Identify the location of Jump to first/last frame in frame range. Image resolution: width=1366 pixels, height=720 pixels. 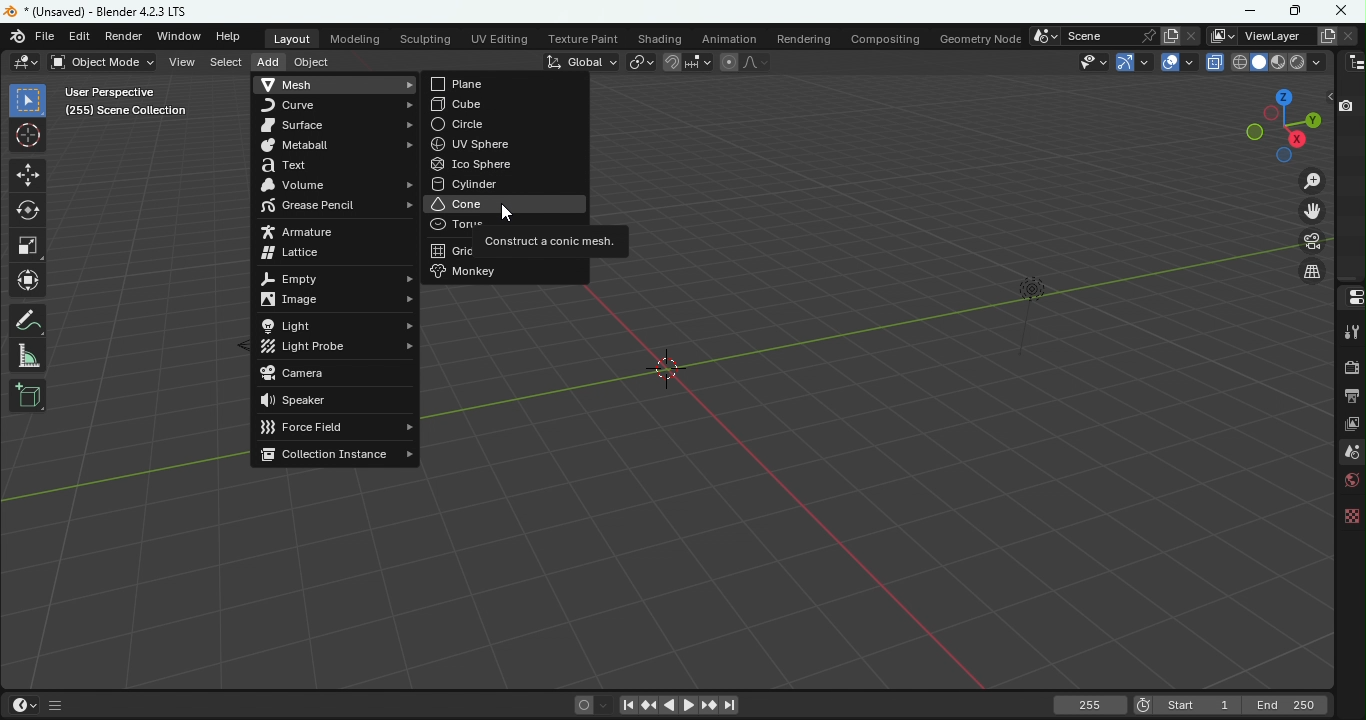
(626, 707).